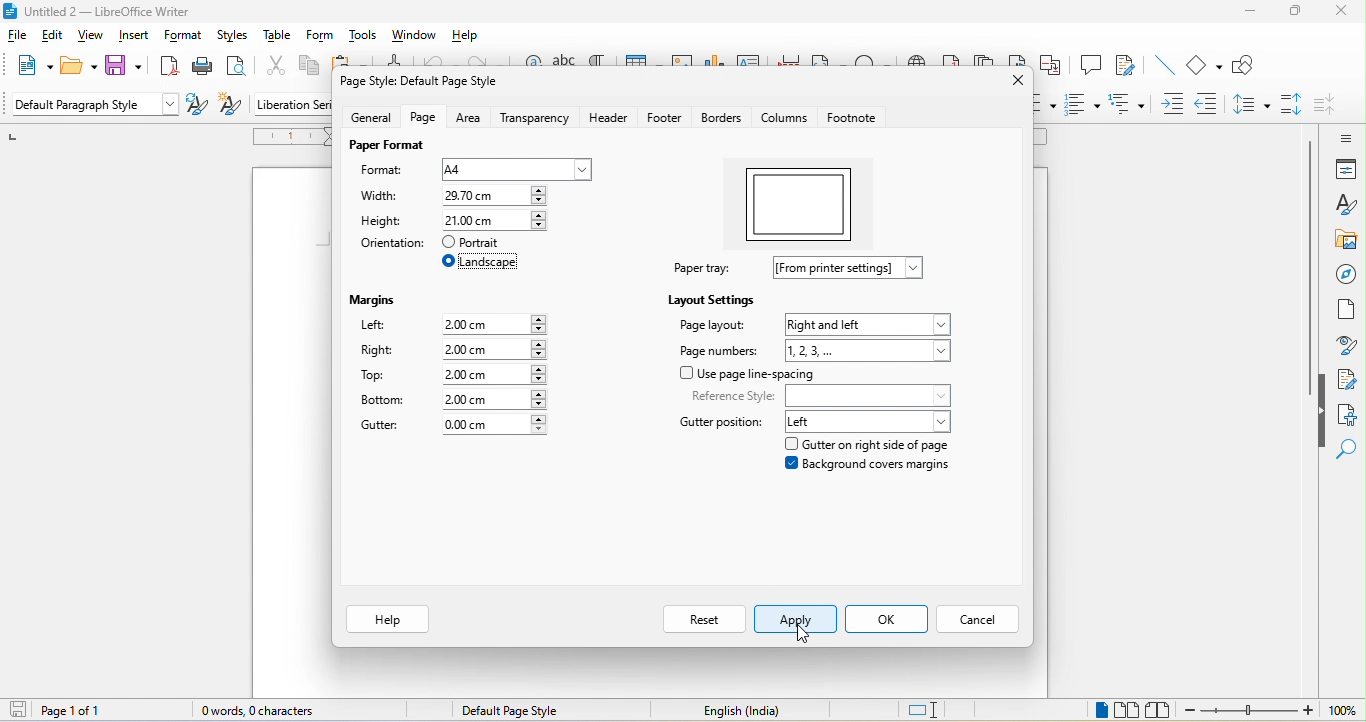  What do you see at coordinates (875, 465) in the screenshot?
I see `background covers margins` at bounding box center [875, 465].